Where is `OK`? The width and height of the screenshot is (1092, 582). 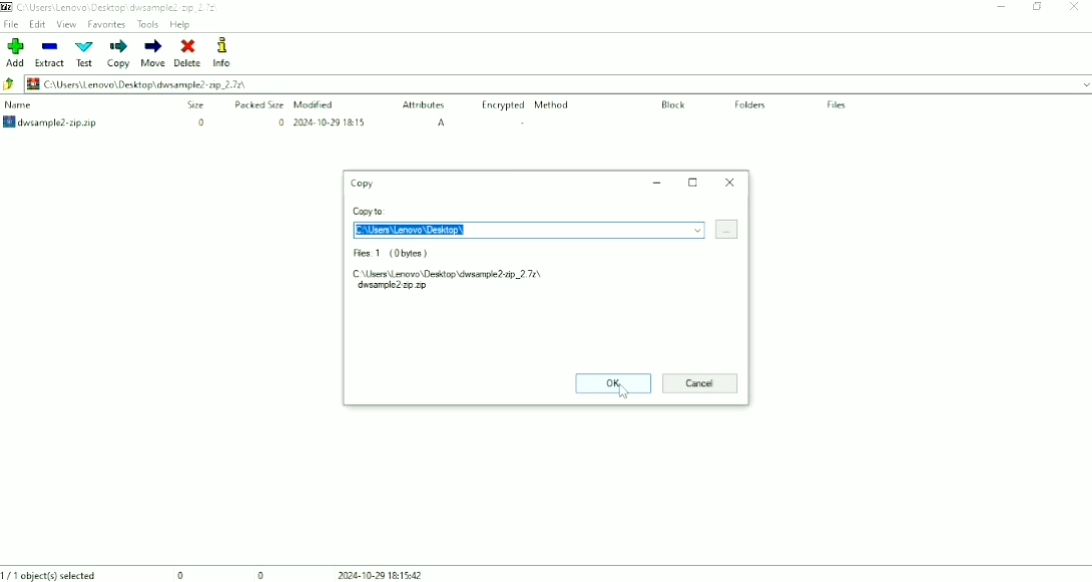 OK is located at coordinates (612, 385).